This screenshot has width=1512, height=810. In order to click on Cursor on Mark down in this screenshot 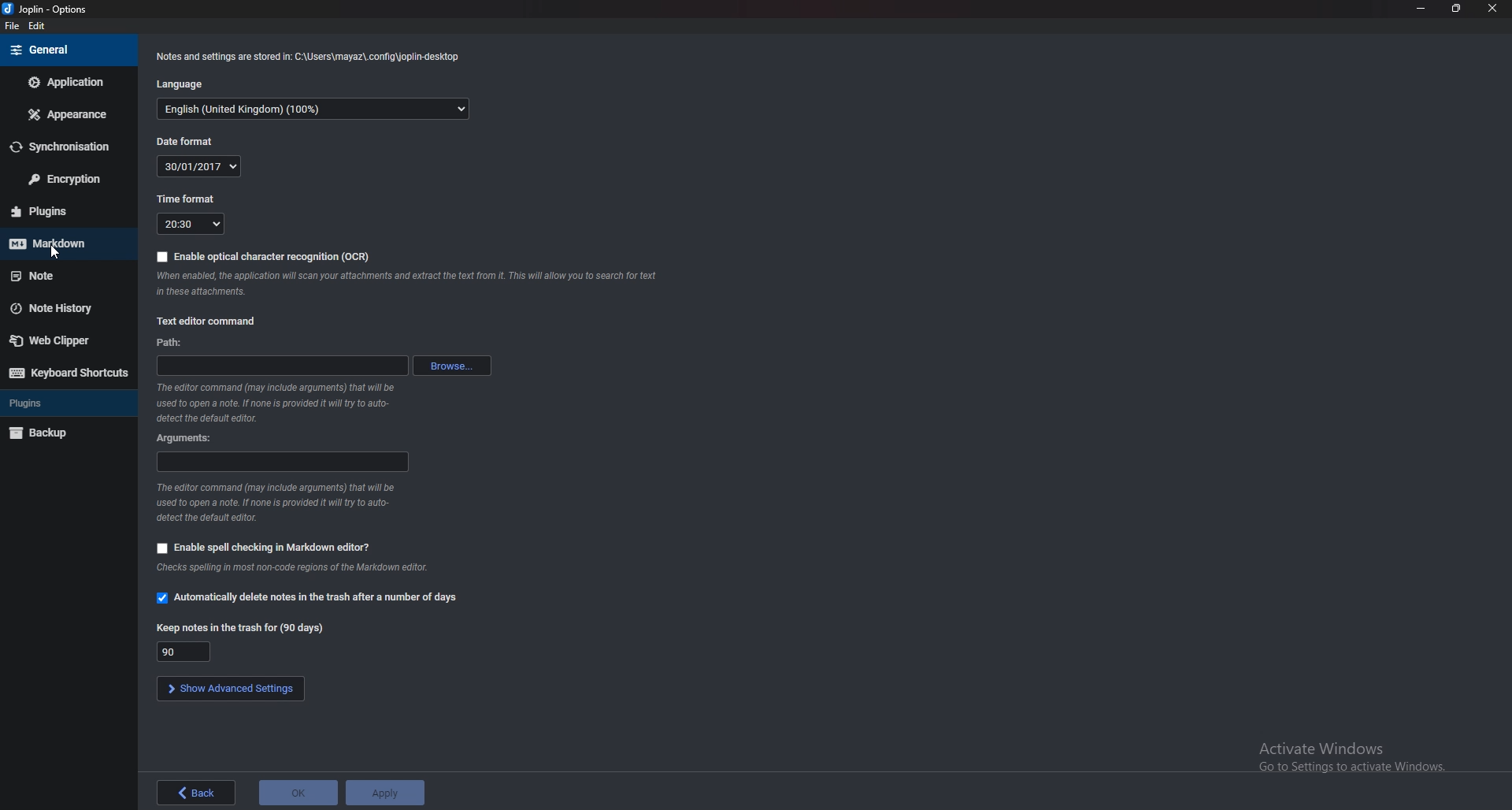, I will do `click(62, 246)`.